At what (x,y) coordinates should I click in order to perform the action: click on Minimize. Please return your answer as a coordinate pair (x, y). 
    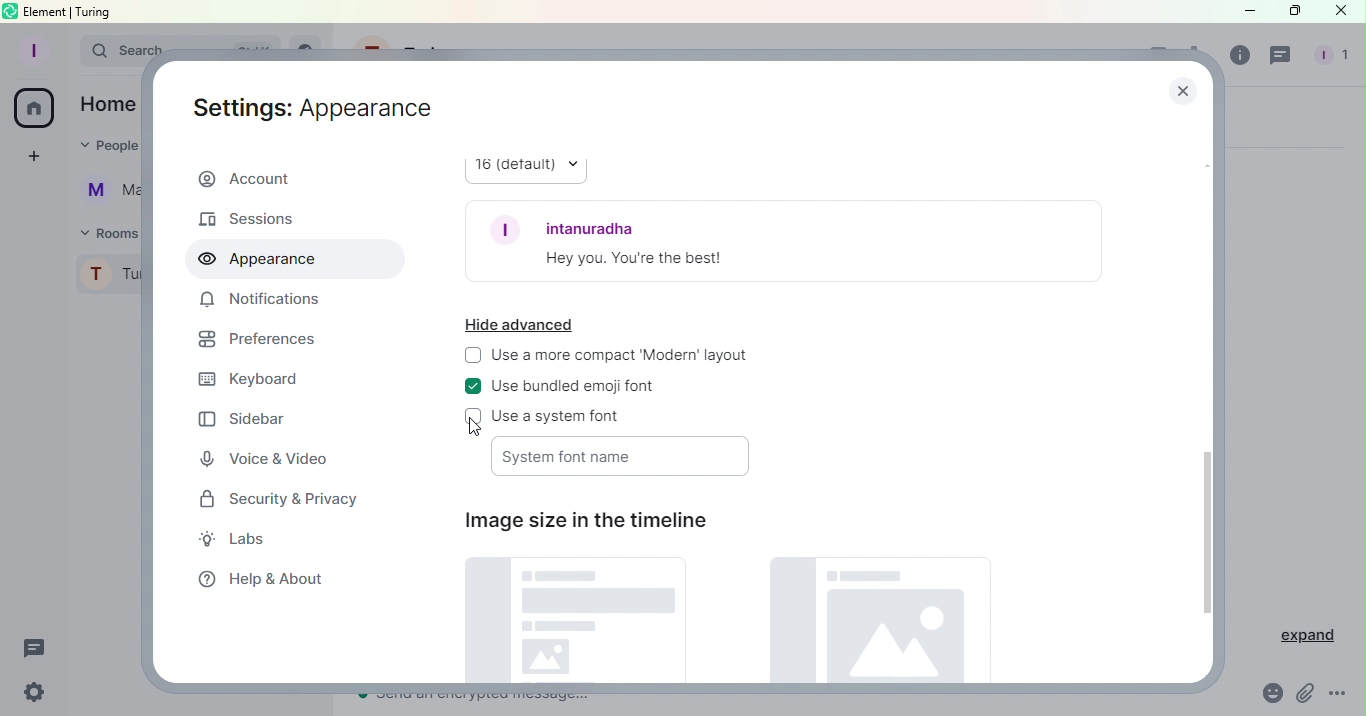
    Looking at the image, I should click on (1242, 10).